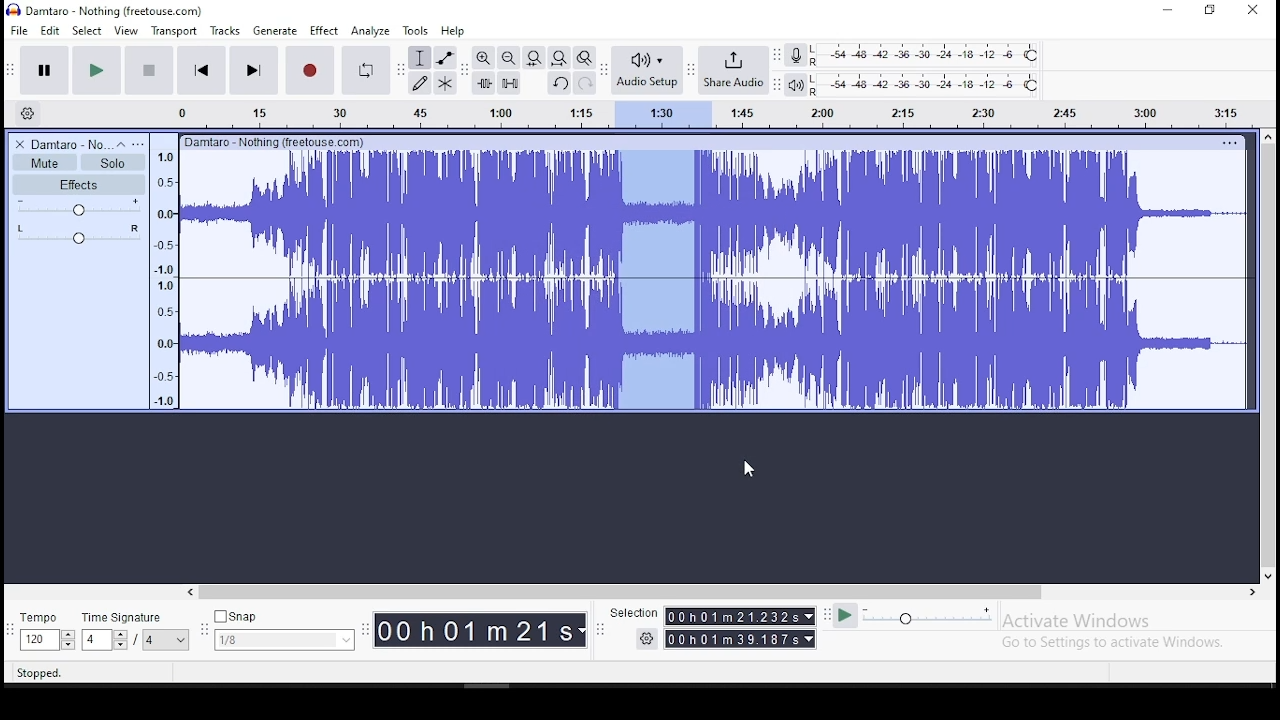 This screenshot has width=1280, height=720. What do you see at coordinates (510, 83) in the screenshot?
I see `silence audio signal` at bounding box center [510, 83].